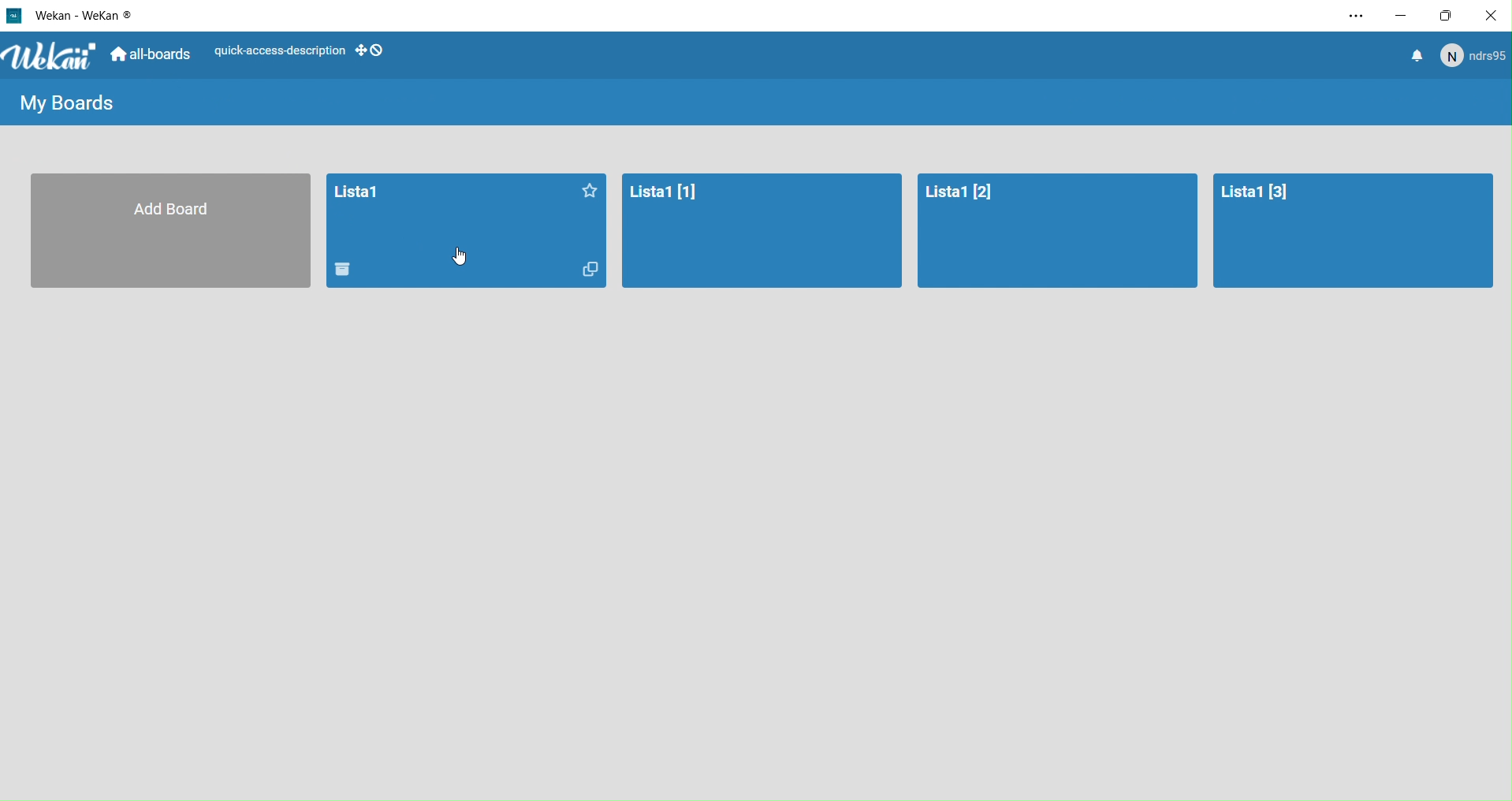 Image resolution: width=1512 pixels, height=801 pixels. I want to click on Box, so click(1448, 13).